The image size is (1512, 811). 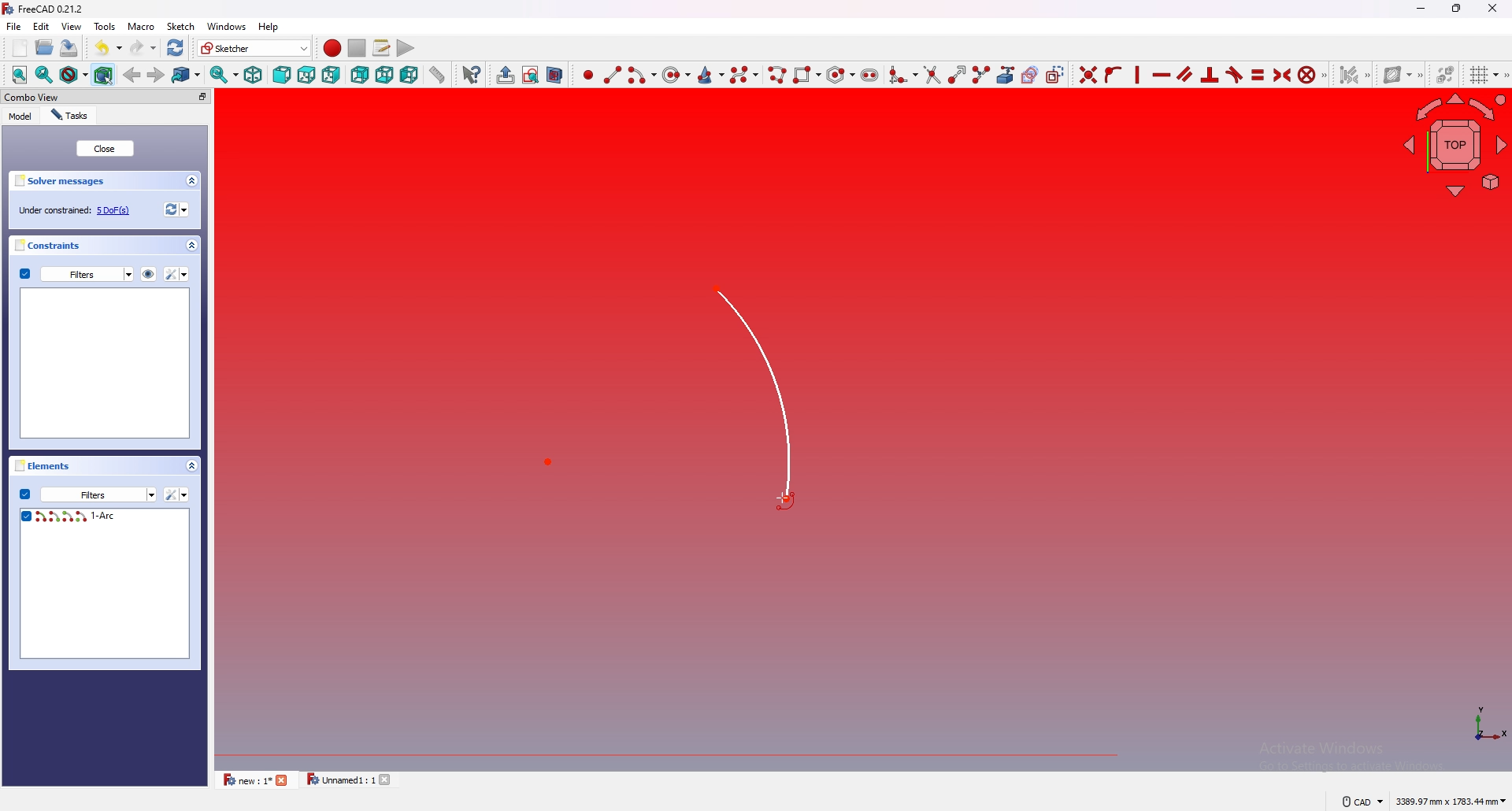 I want to click on constraint horizontally, so click(x=1162, y=74).